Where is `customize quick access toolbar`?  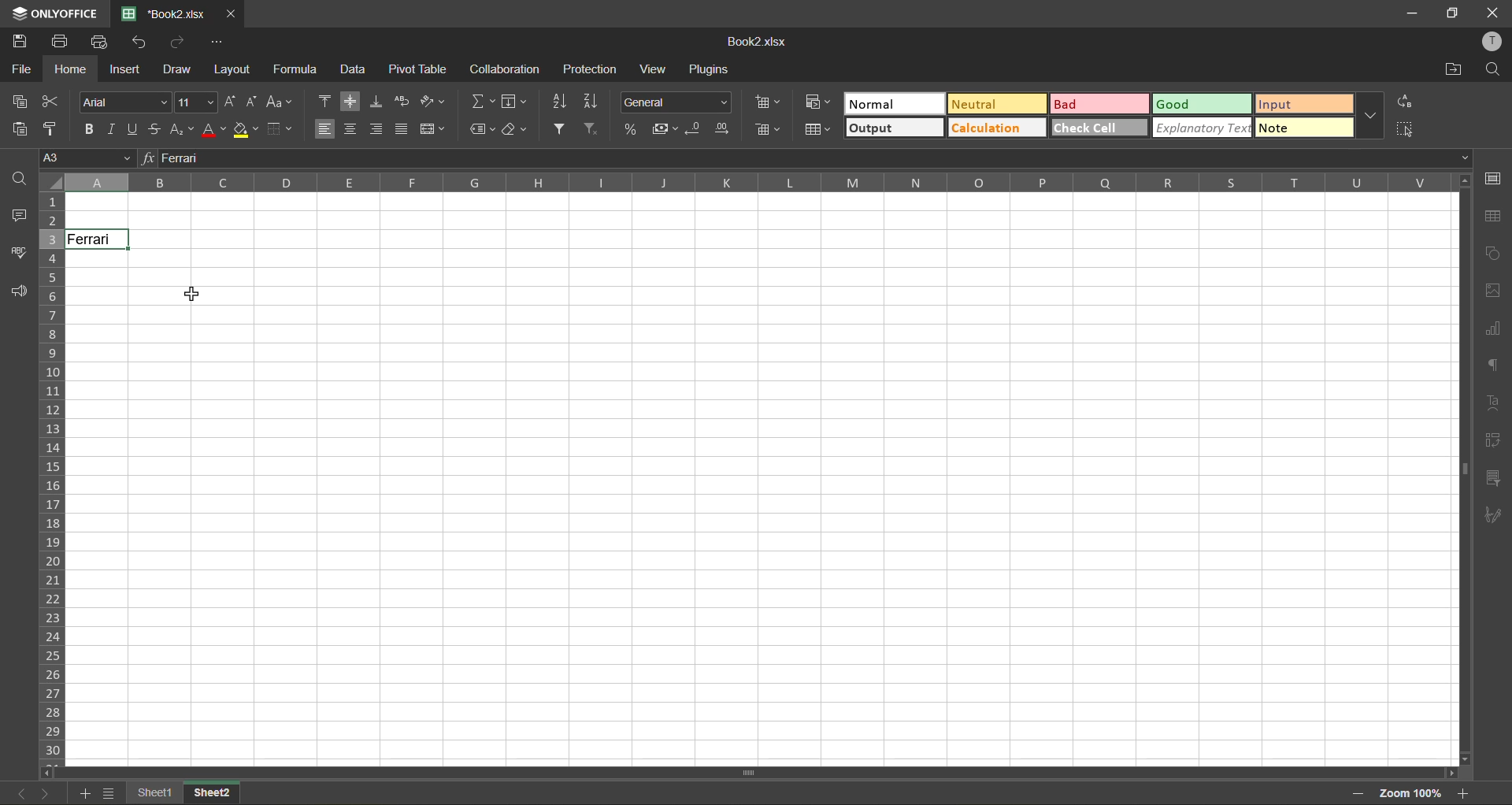 customize quick access toolbar is located at coordinates (218, 42).